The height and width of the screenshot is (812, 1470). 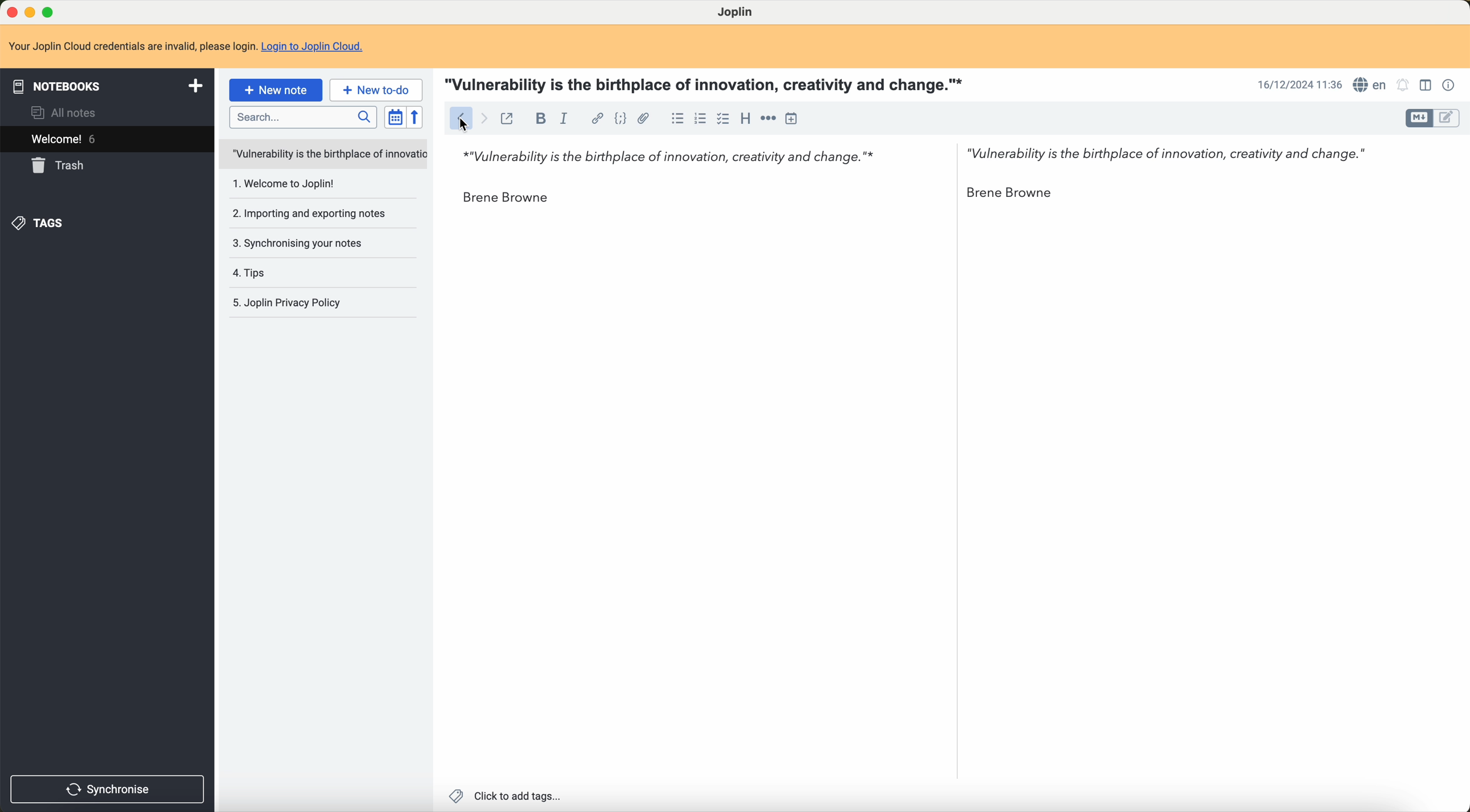 I want to click on Brene Browne, so click(x=506, y=199).